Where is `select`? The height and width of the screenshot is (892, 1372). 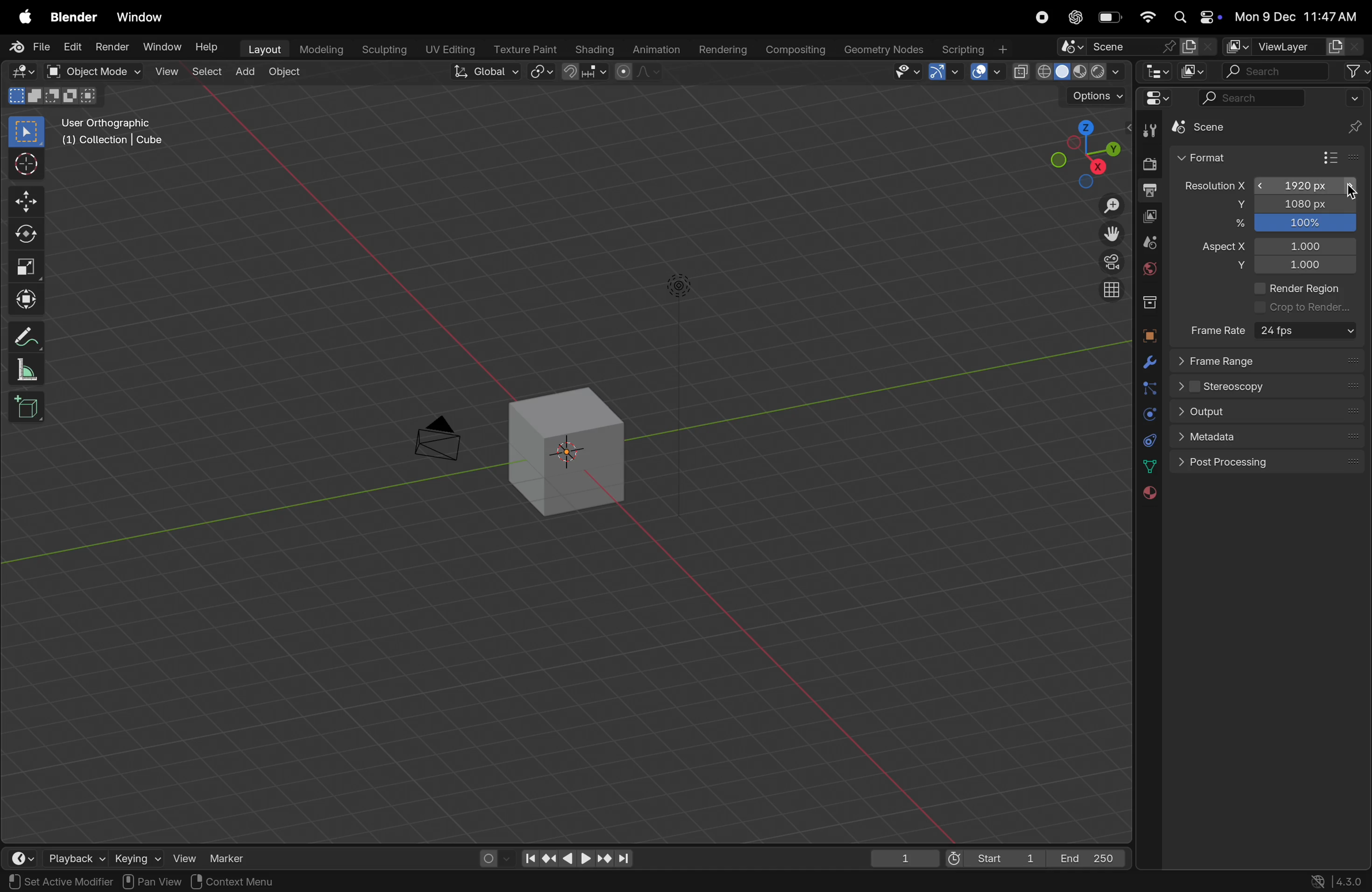 select is located at coordinates (206, 73).